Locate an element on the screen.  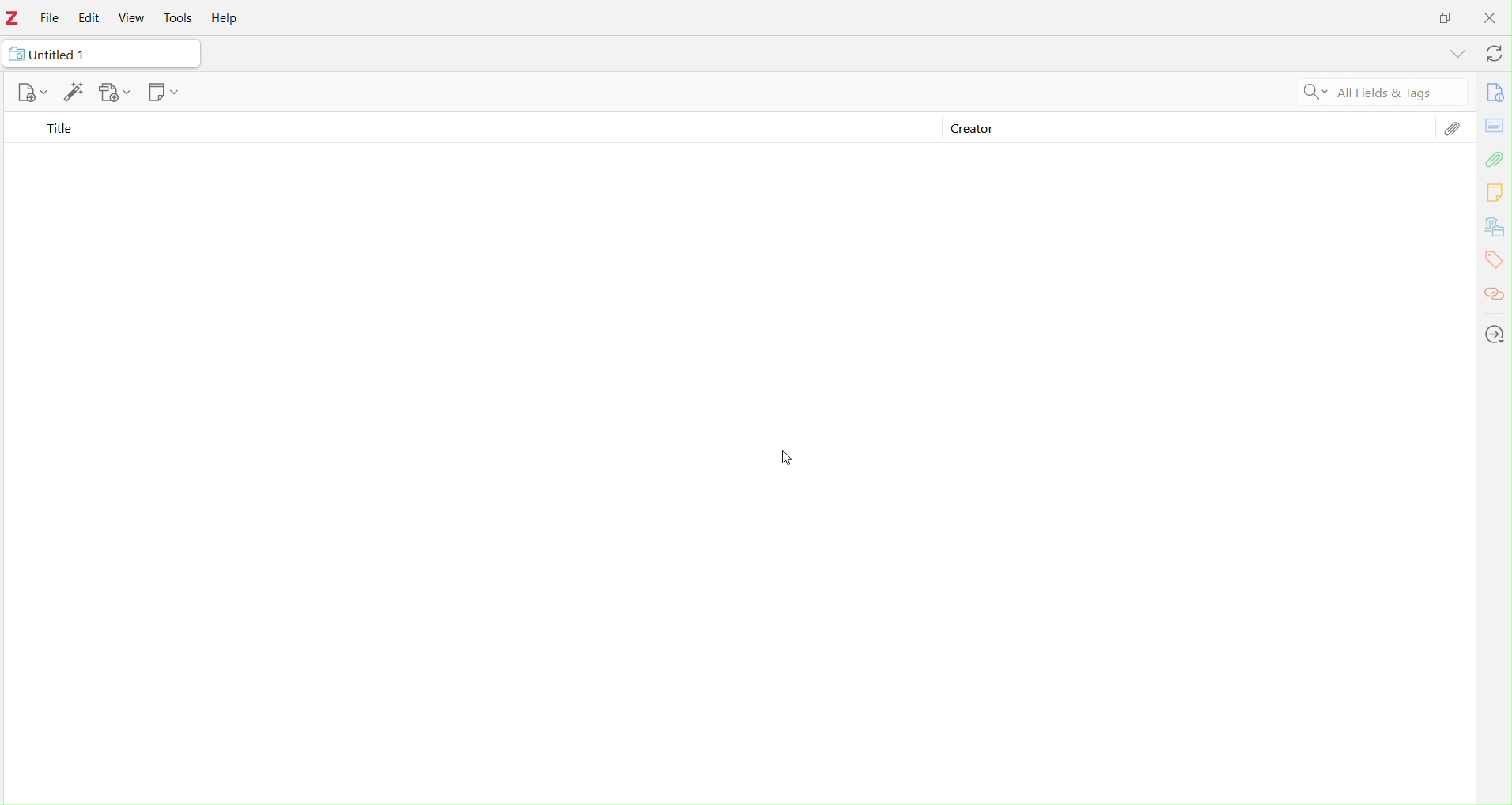
Search is located at coordinates (1310, 94).